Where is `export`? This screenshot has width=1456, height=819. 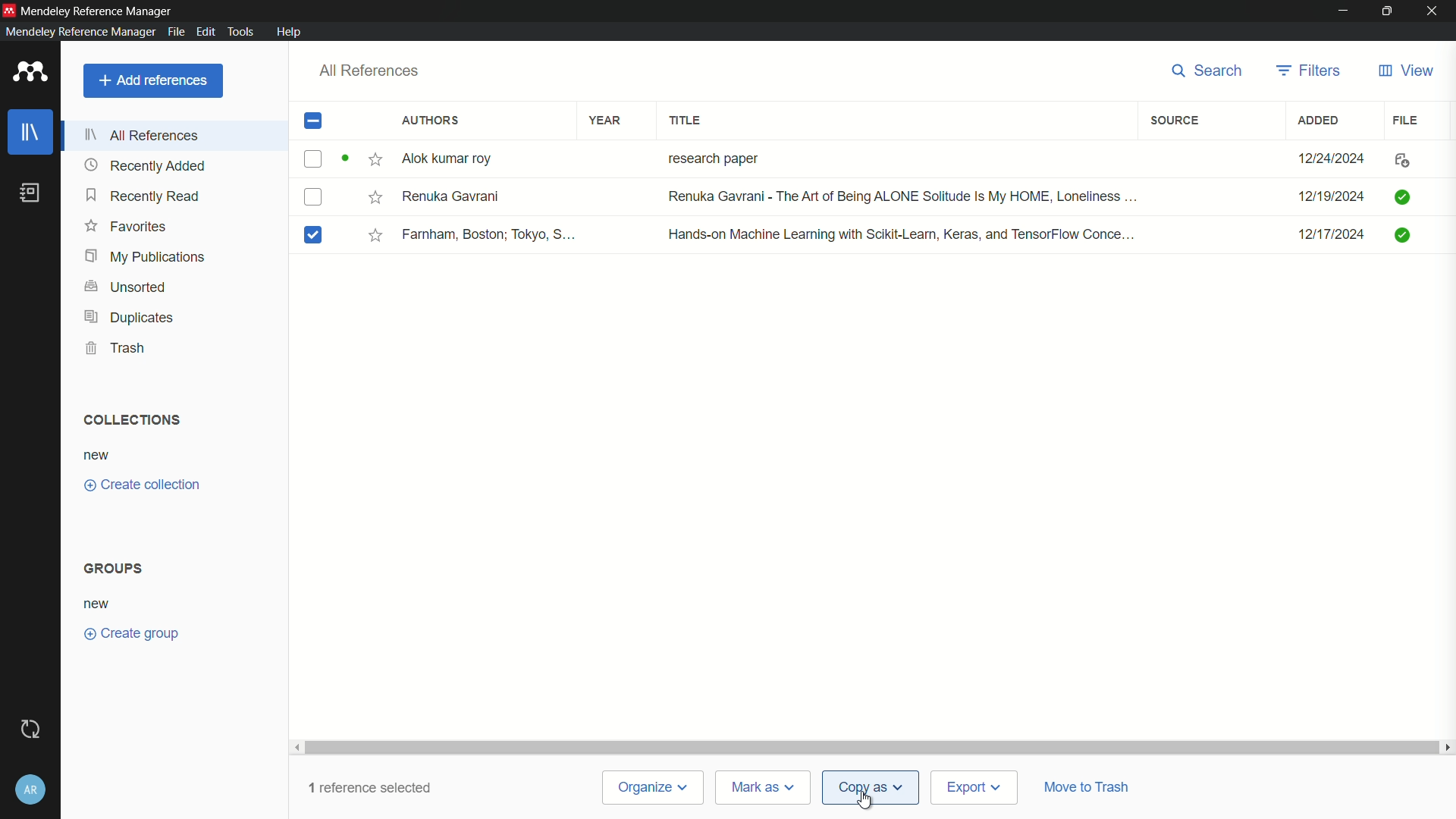 export is located at coordinates (974, 787).